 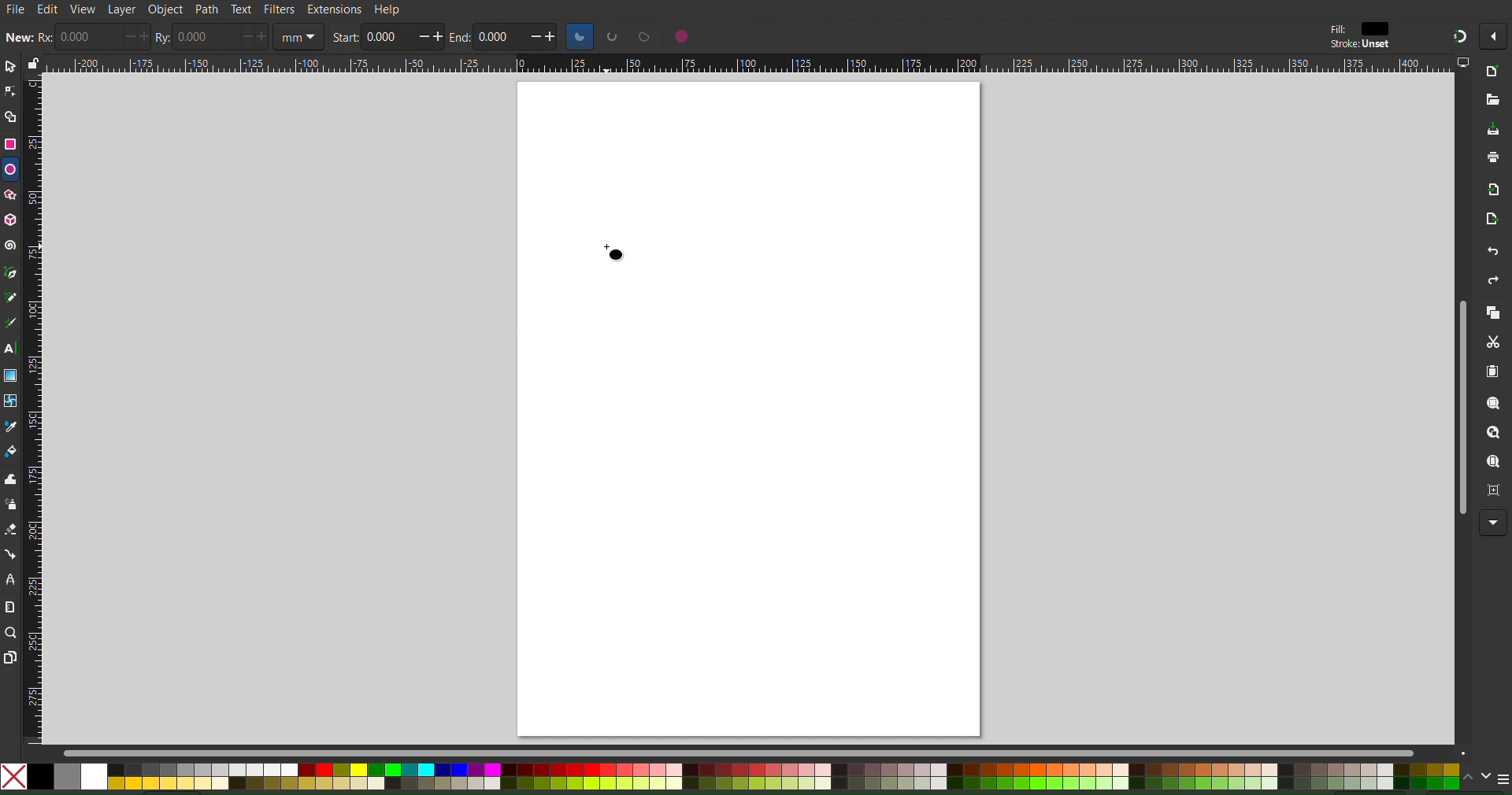 What do you see at coordinates (203, 37) in the screenshot?
I see `0` at bounding box center [203, 37].